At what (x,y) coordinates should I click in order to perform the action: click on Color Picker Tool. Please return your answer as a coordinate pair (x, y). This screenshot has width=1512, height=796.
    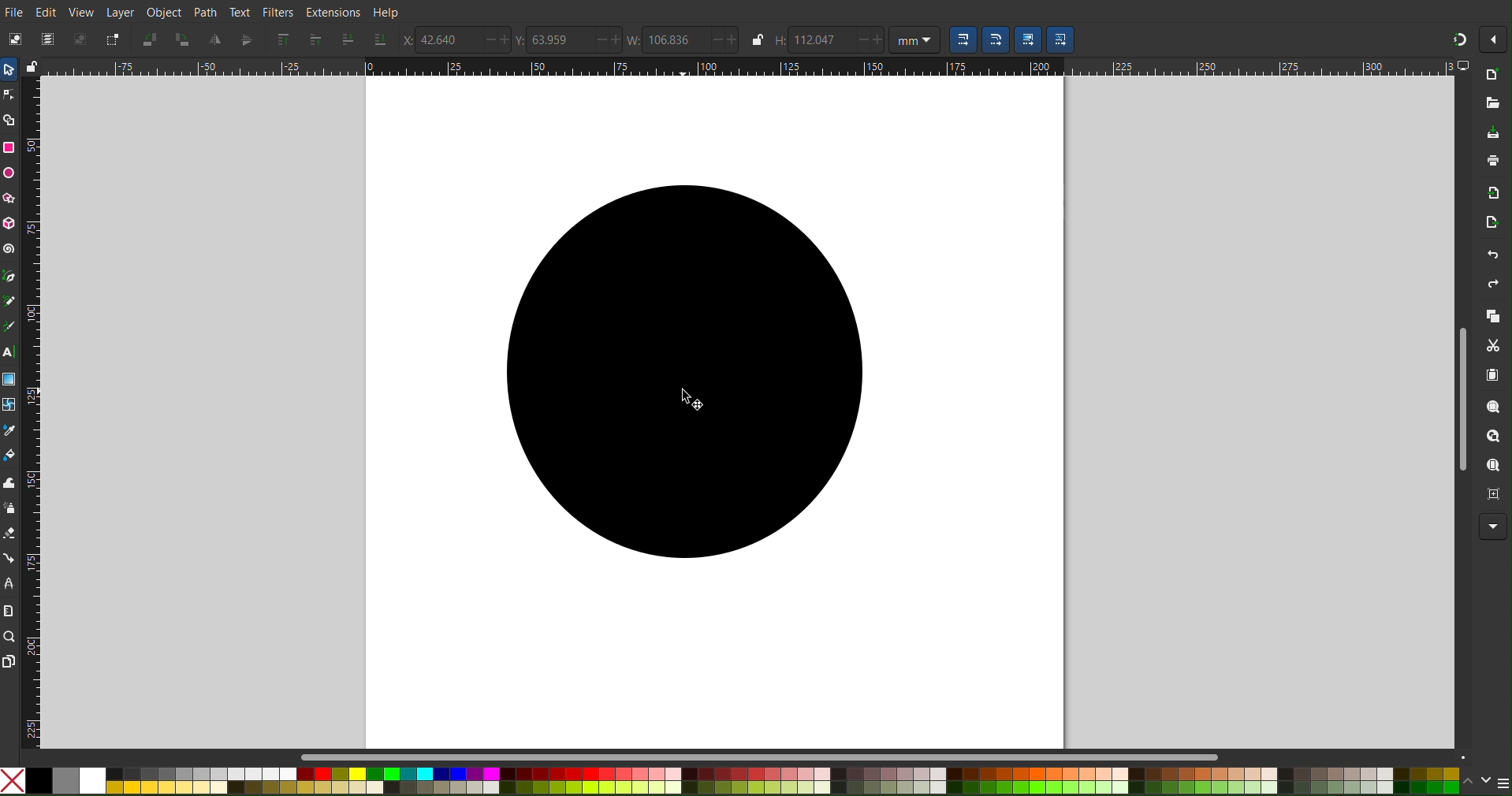
    Looking at the image, I should click on (9, 430).